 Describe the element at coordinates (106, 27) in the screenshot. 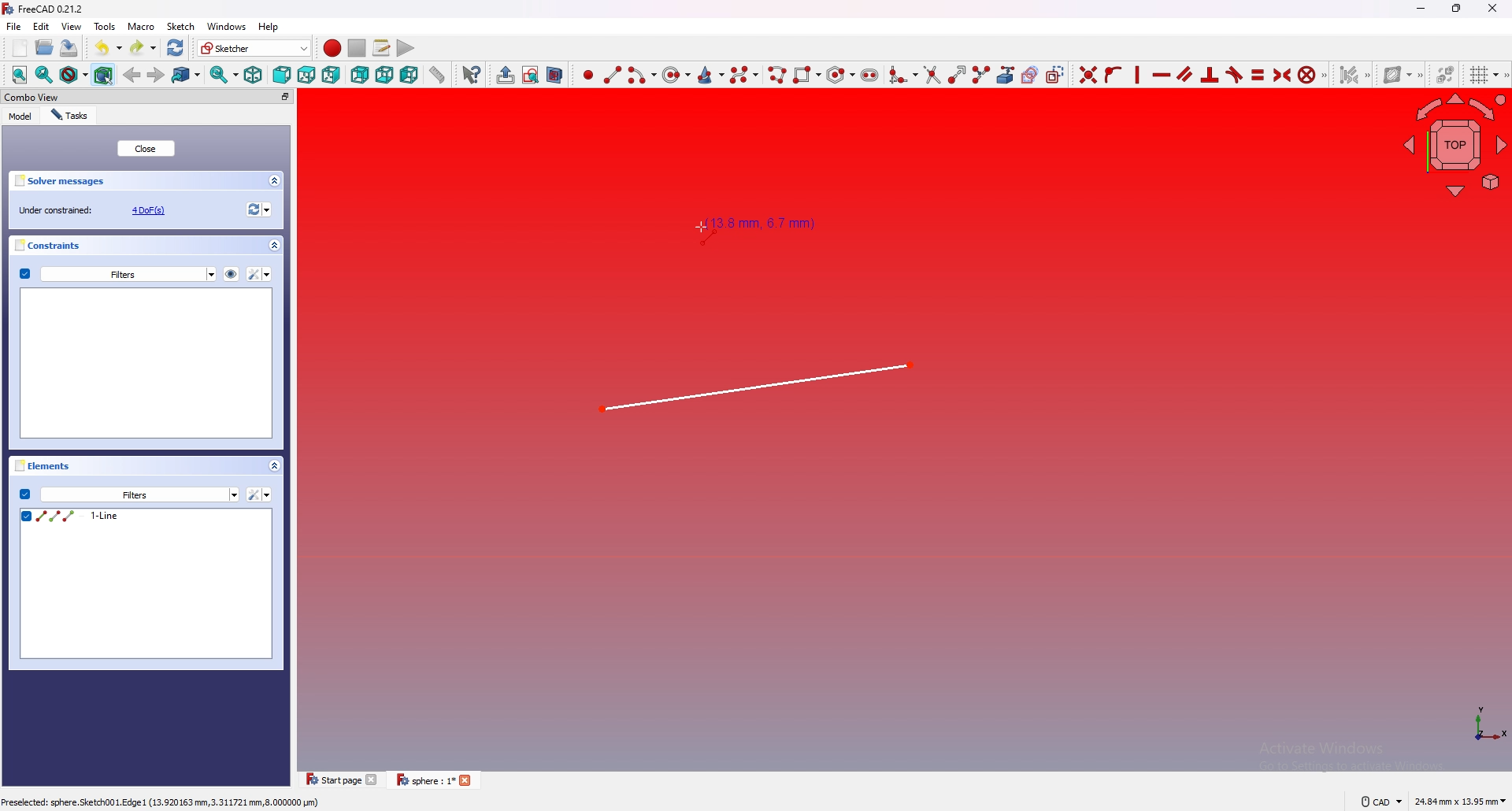

I see `Tools` at that location.